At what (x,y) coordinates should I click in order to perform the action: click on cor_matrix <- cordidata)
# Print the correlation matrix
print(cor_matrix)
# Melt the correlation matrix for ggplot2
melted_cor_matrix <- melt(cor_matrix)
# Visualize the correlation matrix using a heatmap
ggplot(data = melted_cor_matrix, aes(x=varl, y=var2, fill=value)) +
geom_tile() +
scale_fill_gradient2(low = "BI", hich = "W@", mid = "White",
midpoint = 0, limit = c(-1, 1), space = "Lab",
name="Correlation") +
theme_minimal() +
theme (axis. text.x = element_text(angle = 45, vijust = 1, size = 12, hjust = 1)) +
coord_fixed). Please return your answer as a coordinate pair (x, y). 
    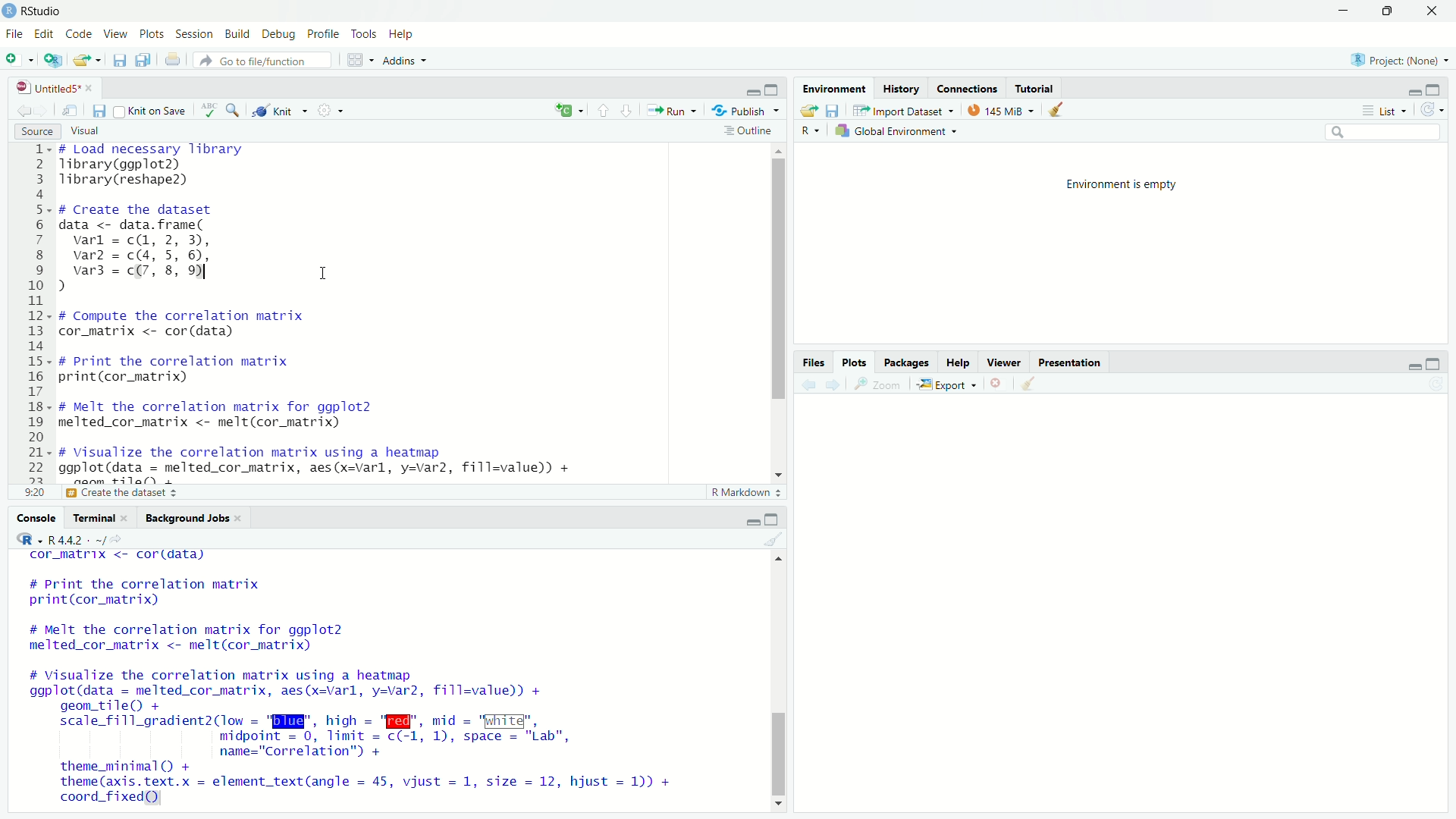
    Looking at the image, I should click on (370, 679).